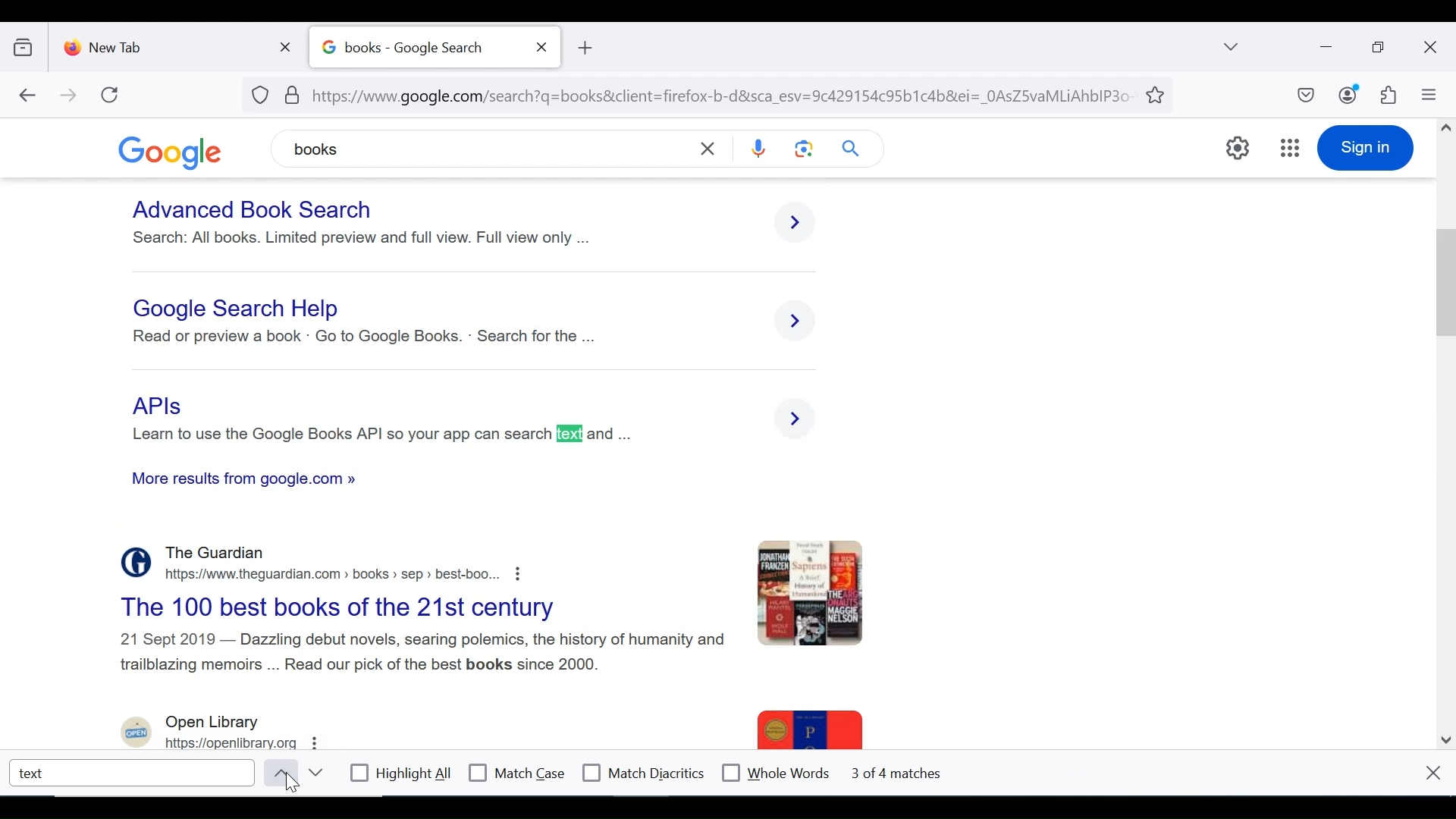 The image size is (1456, 819). I want to click on extensions, so click(1387, 96).